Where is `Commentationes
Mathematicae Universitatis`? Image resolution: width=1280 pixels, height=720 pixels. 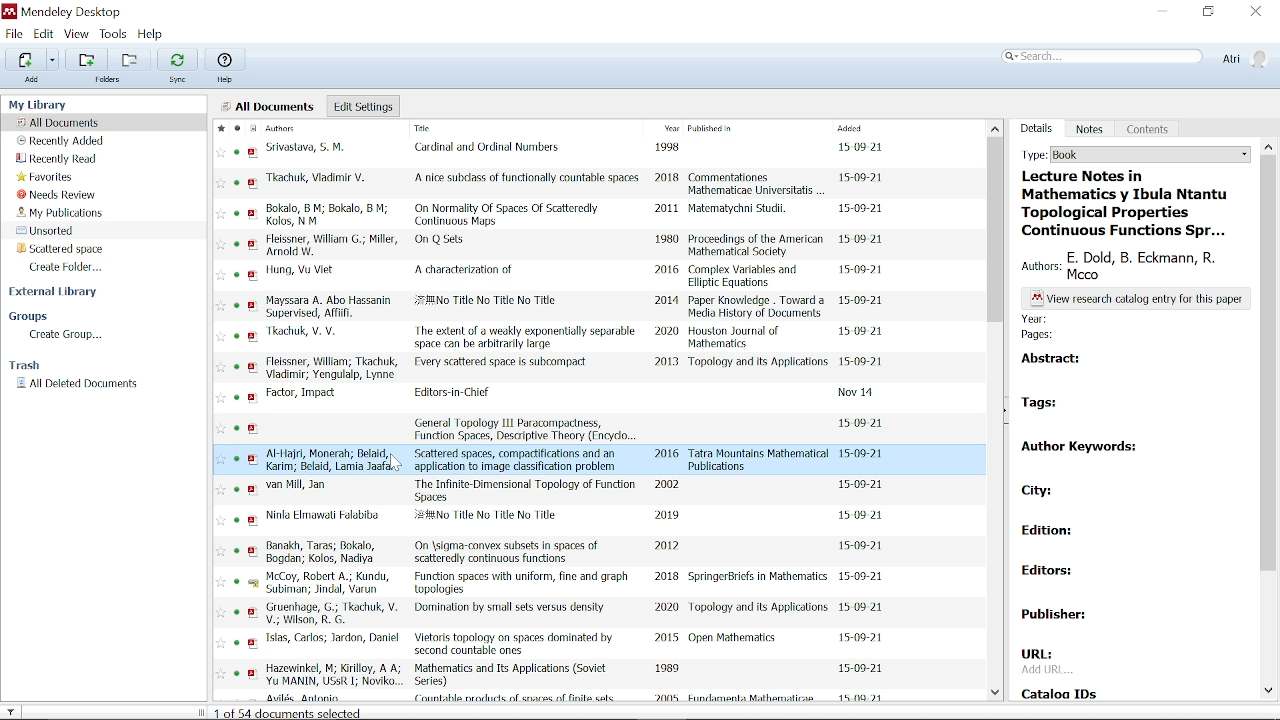 Commentationes
Mathematicae Universitatis is located at coordinates (757, 182).